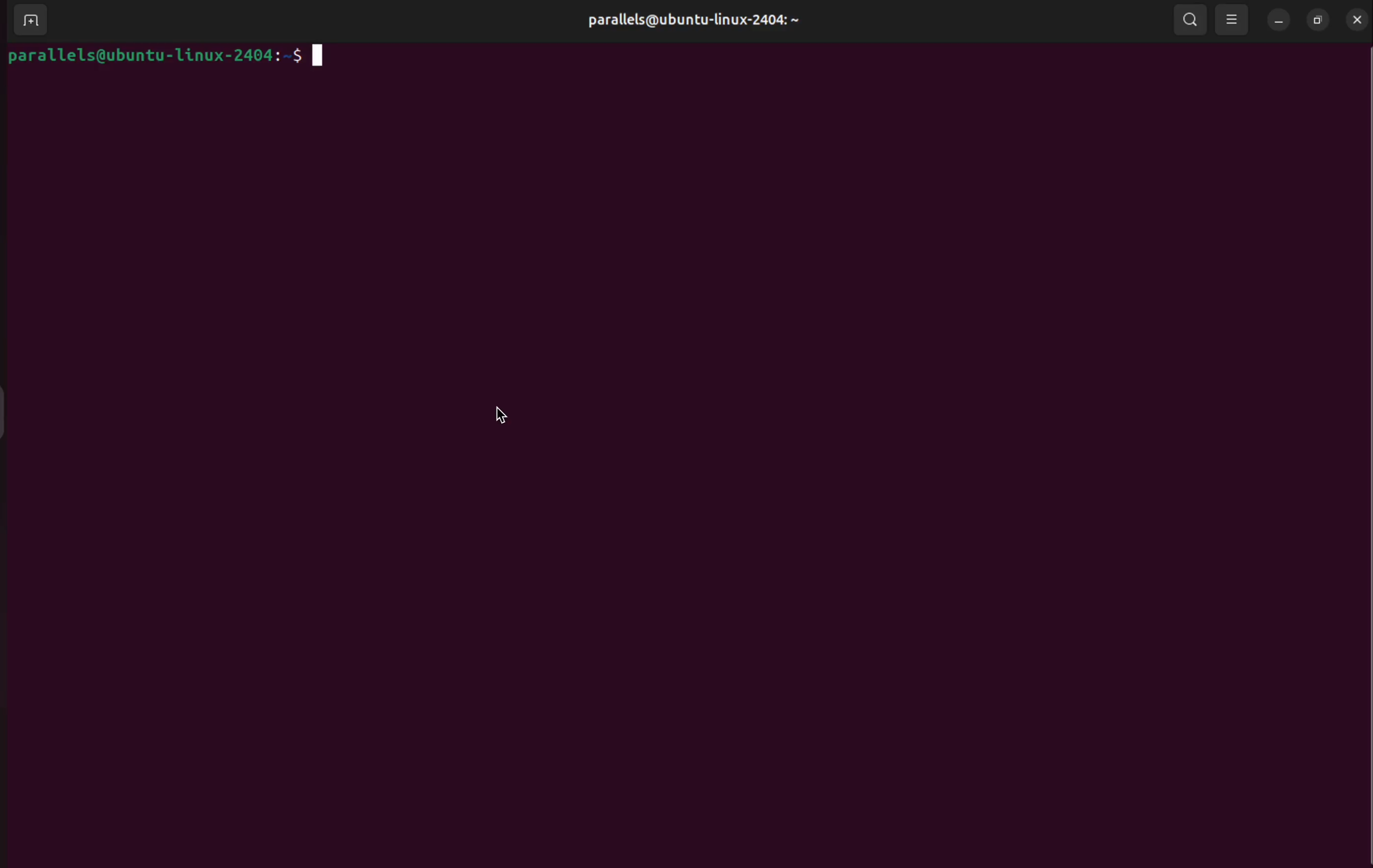  I want to click on view options, so click(1234, 20).